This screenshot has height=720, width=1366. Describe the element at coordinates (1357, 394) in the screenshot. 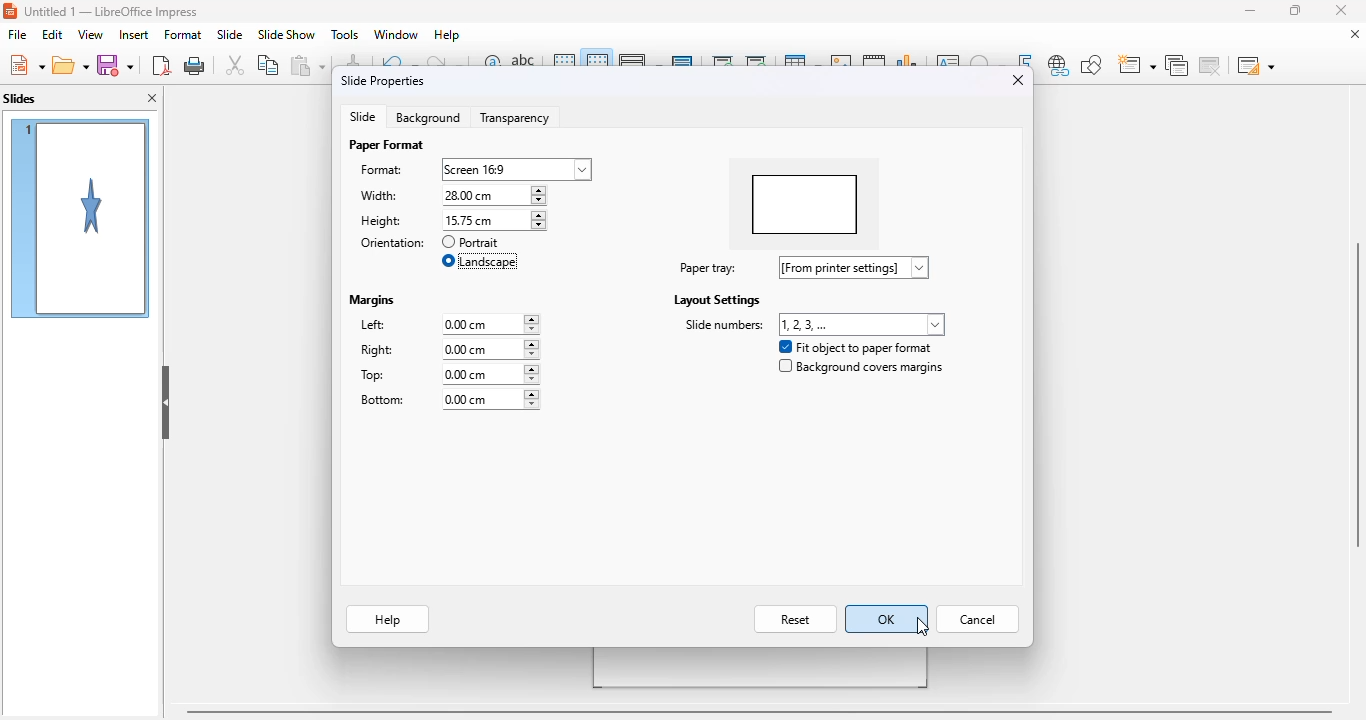

I see `vertical scrollbar` at that location.